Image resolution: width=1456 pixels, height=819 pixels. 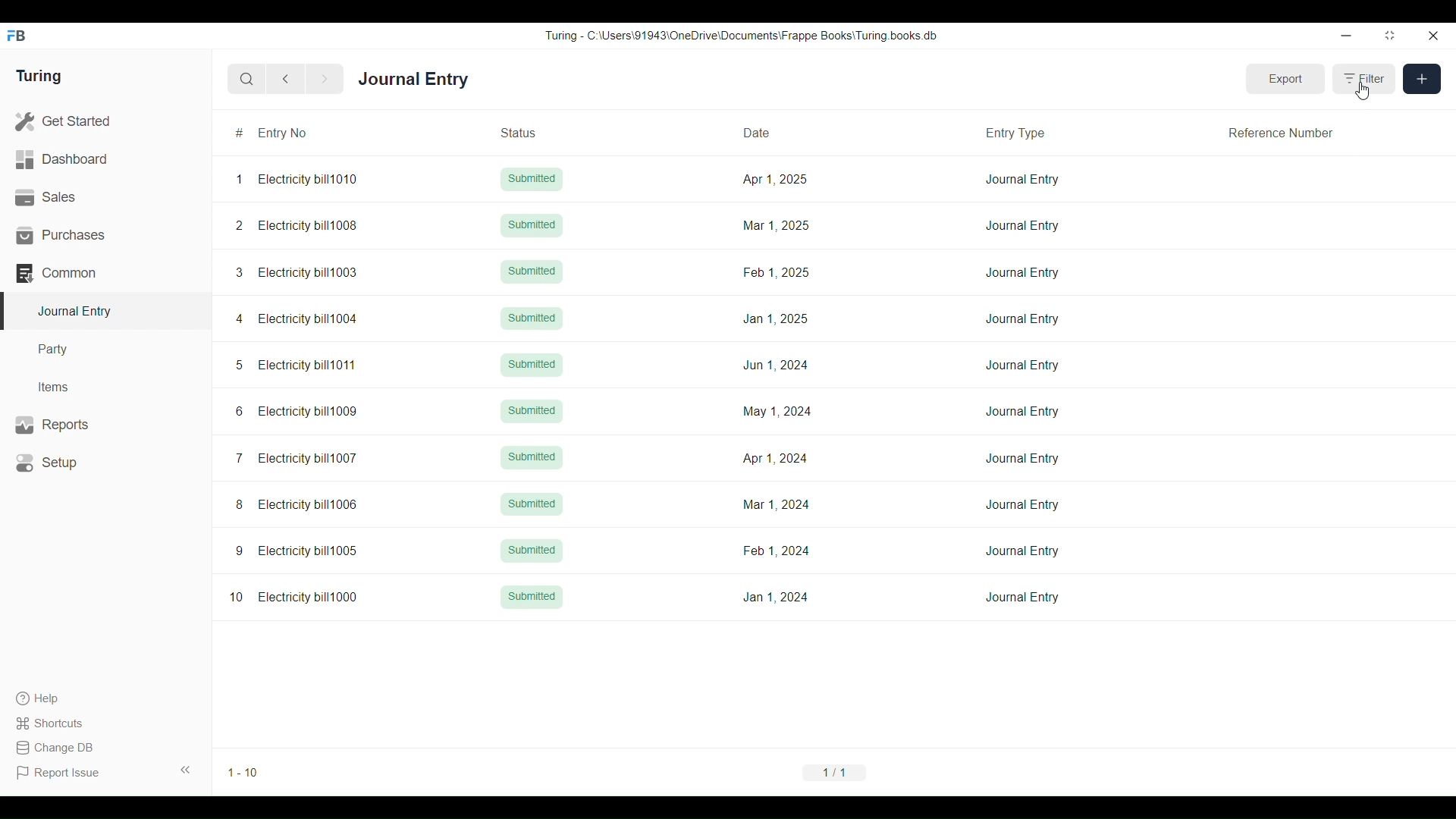 What do you see at coordinates (1022, 504) in the screenshot?
I see `Journal Entry` at bounding box center [1022, 504].